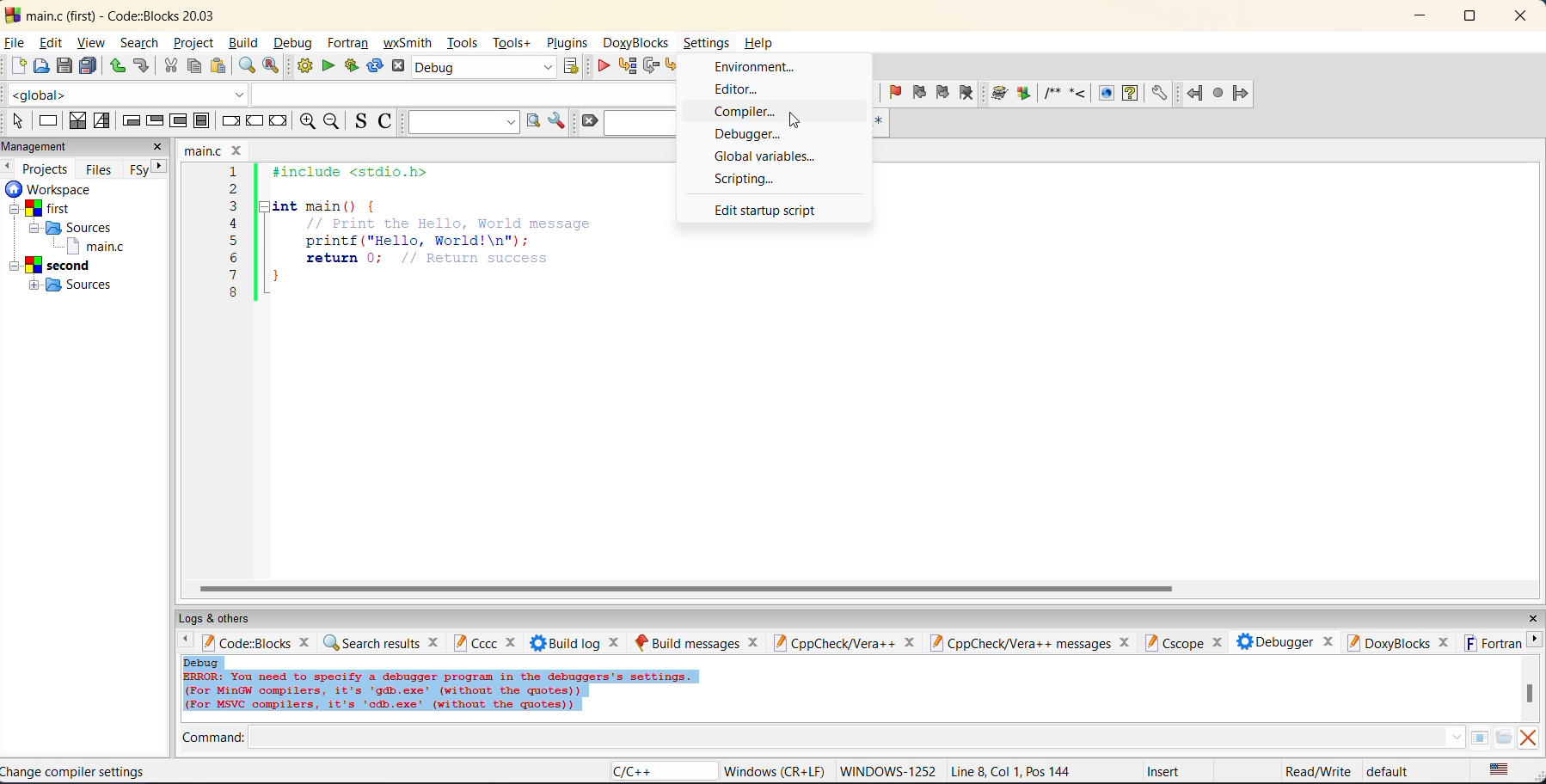 The image size is (1546, 784). Describe the element at coordinates (1421, 15) in the screenshot. I see `minimize` at that location.